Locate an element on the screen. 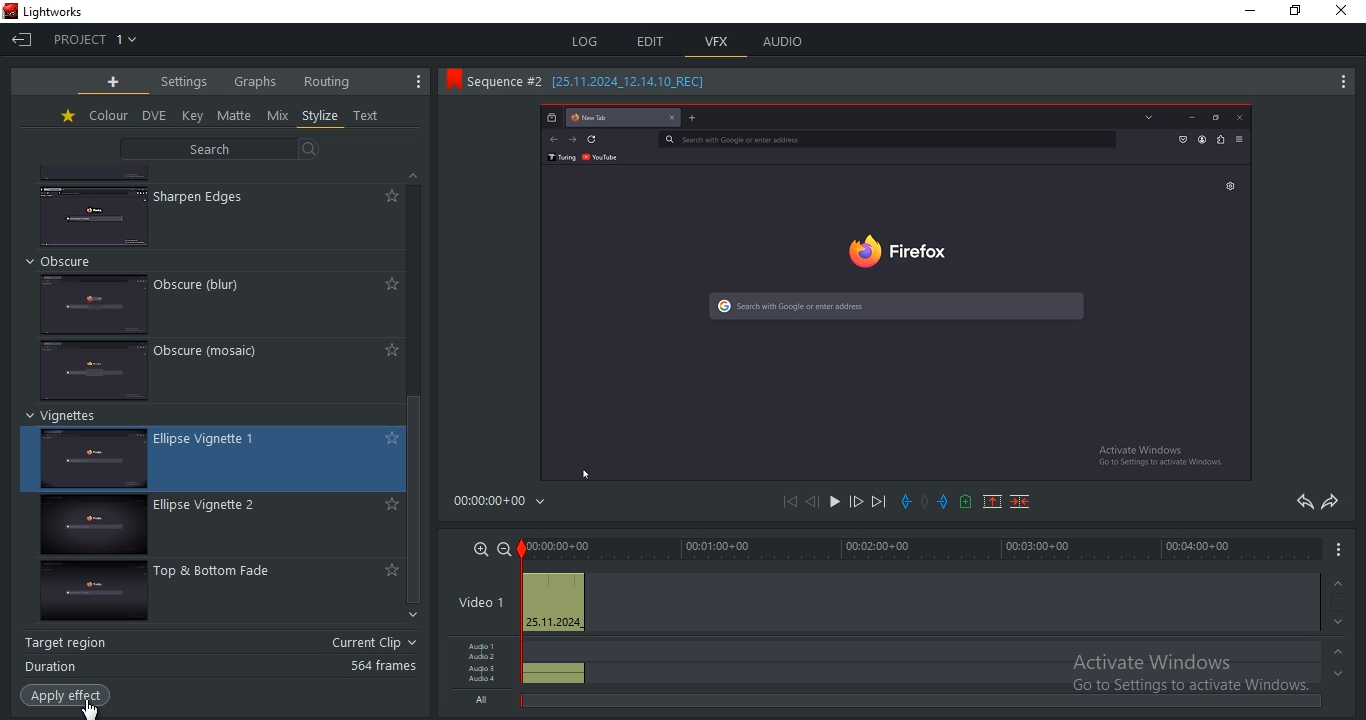 Image resolution: width=1366 pixels, height=720 pixels. Activate Windows
Go to Settings to activate Windows is located at coordinates (1196, 678).